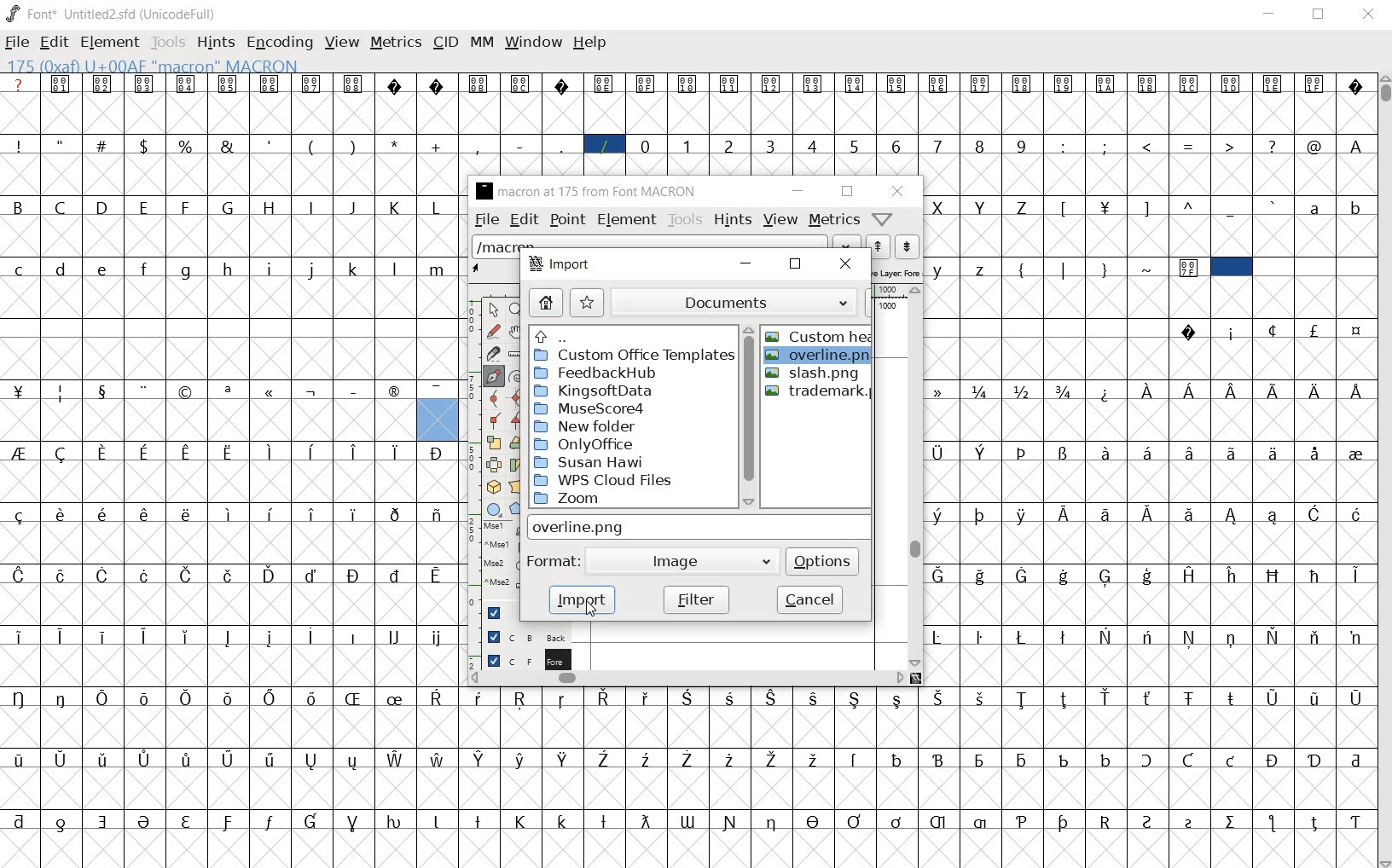  Describe the element at coordinates (491, 310) in the screenshot. I see `point` at that location.